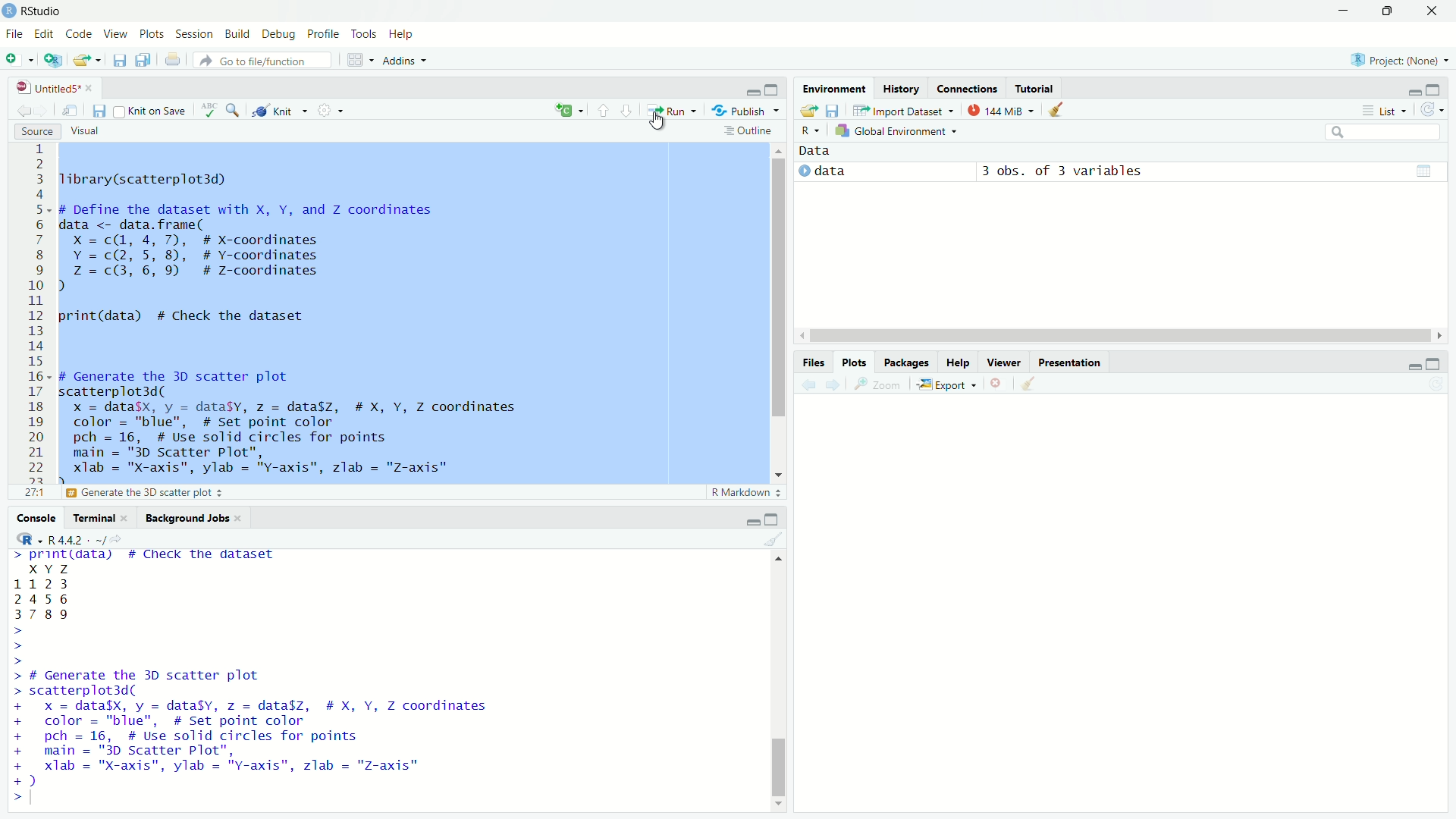 Image resolution: width=1456 pixels, height=819 pixels. What do you see at coordinates (811, 362) in the screenshot?
I see `files` at bounding box center [811, 362].